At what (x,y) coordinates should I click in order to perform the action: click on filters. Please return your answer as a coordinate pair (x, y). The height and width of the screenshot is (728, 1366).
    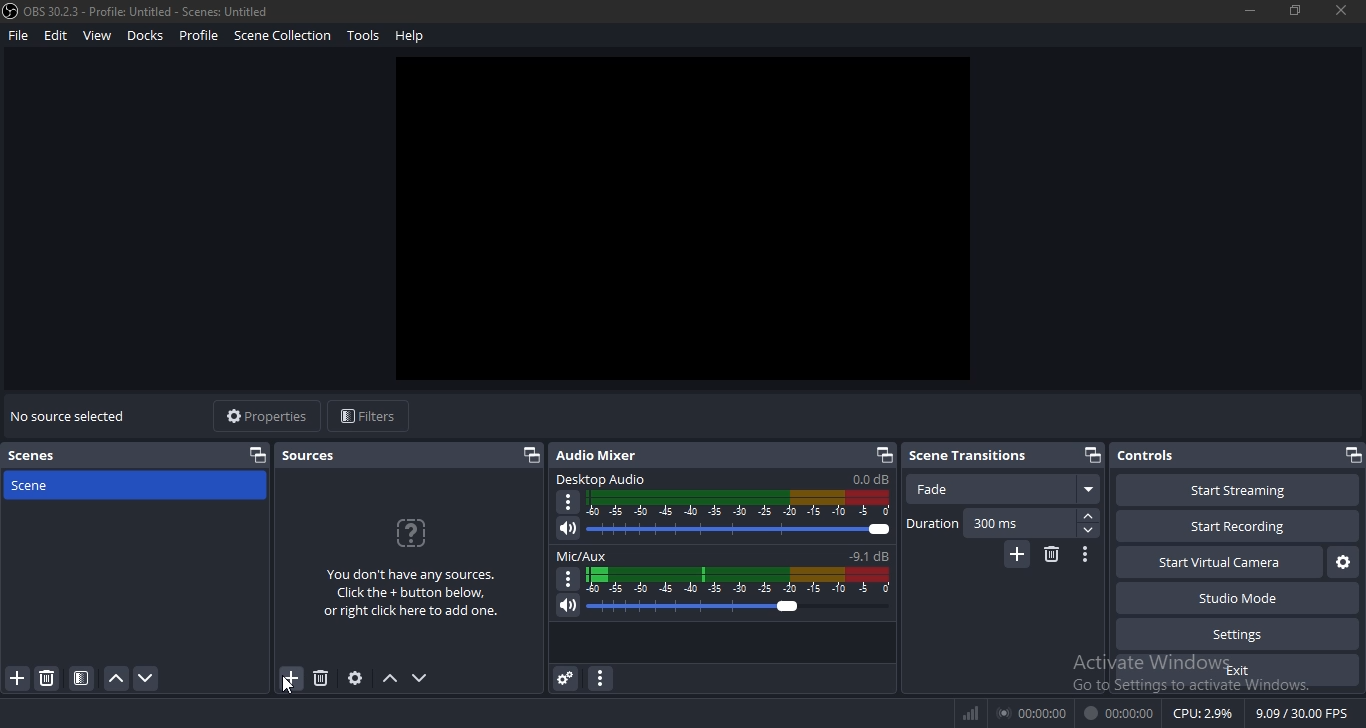
    Looking at the image, I should click on (370, 415).